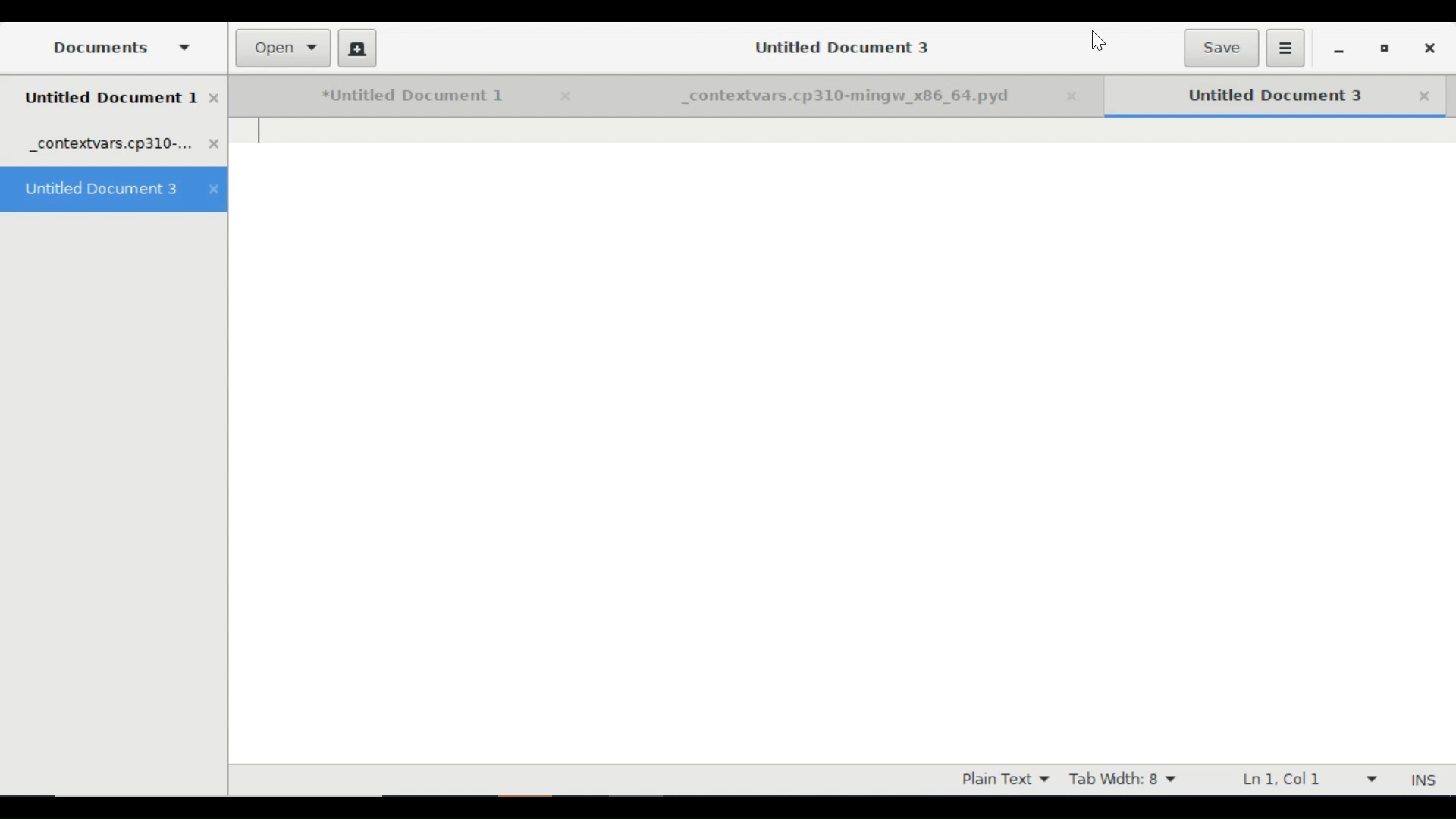 The height and width of the screenshot is (819, 1456). I want to click on Application menu, so click(1285, 48).